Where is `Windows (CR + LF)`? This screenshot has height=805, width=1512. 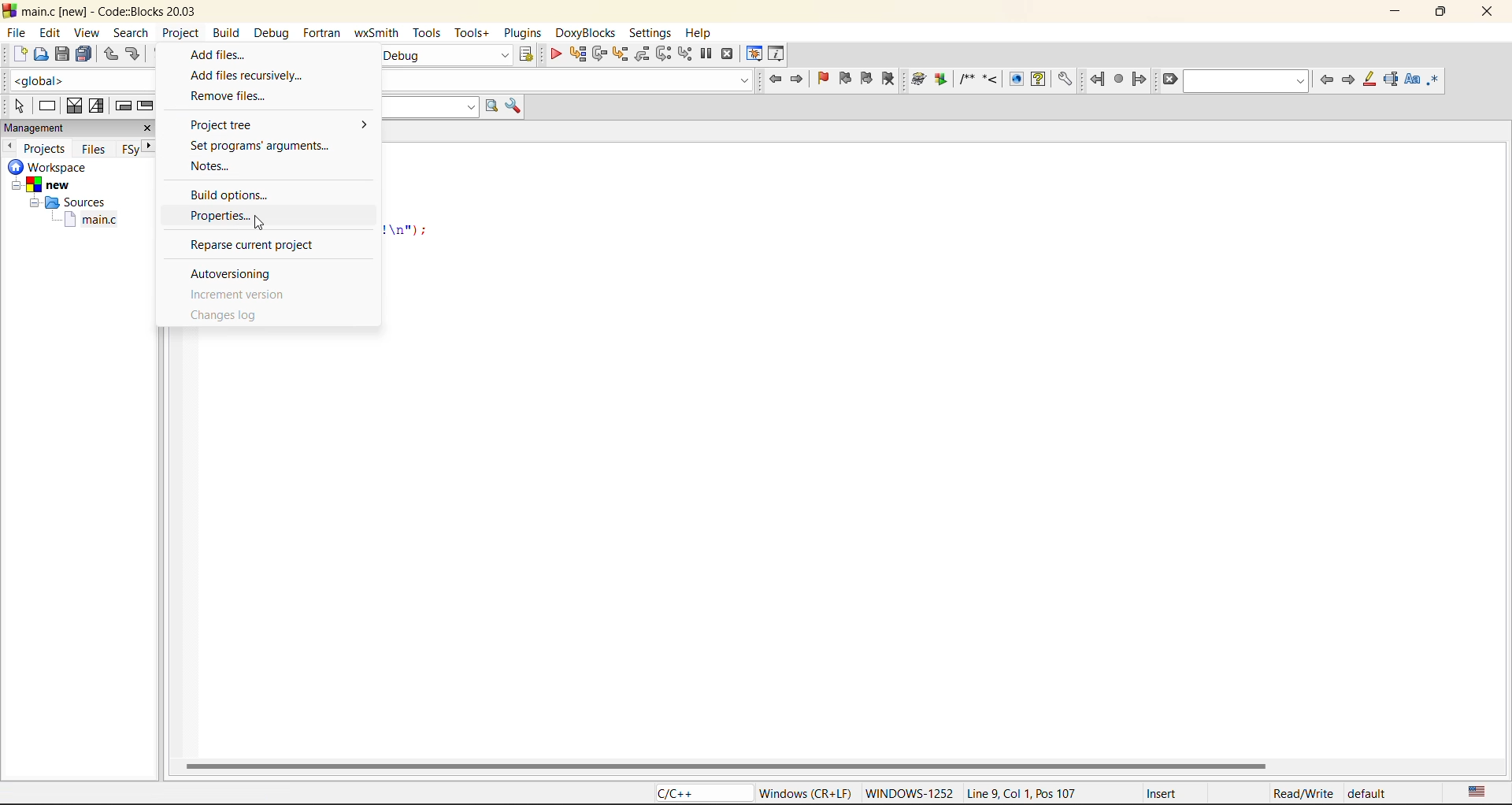
Windows (CR + LF) is located at coordinates (806, 792).